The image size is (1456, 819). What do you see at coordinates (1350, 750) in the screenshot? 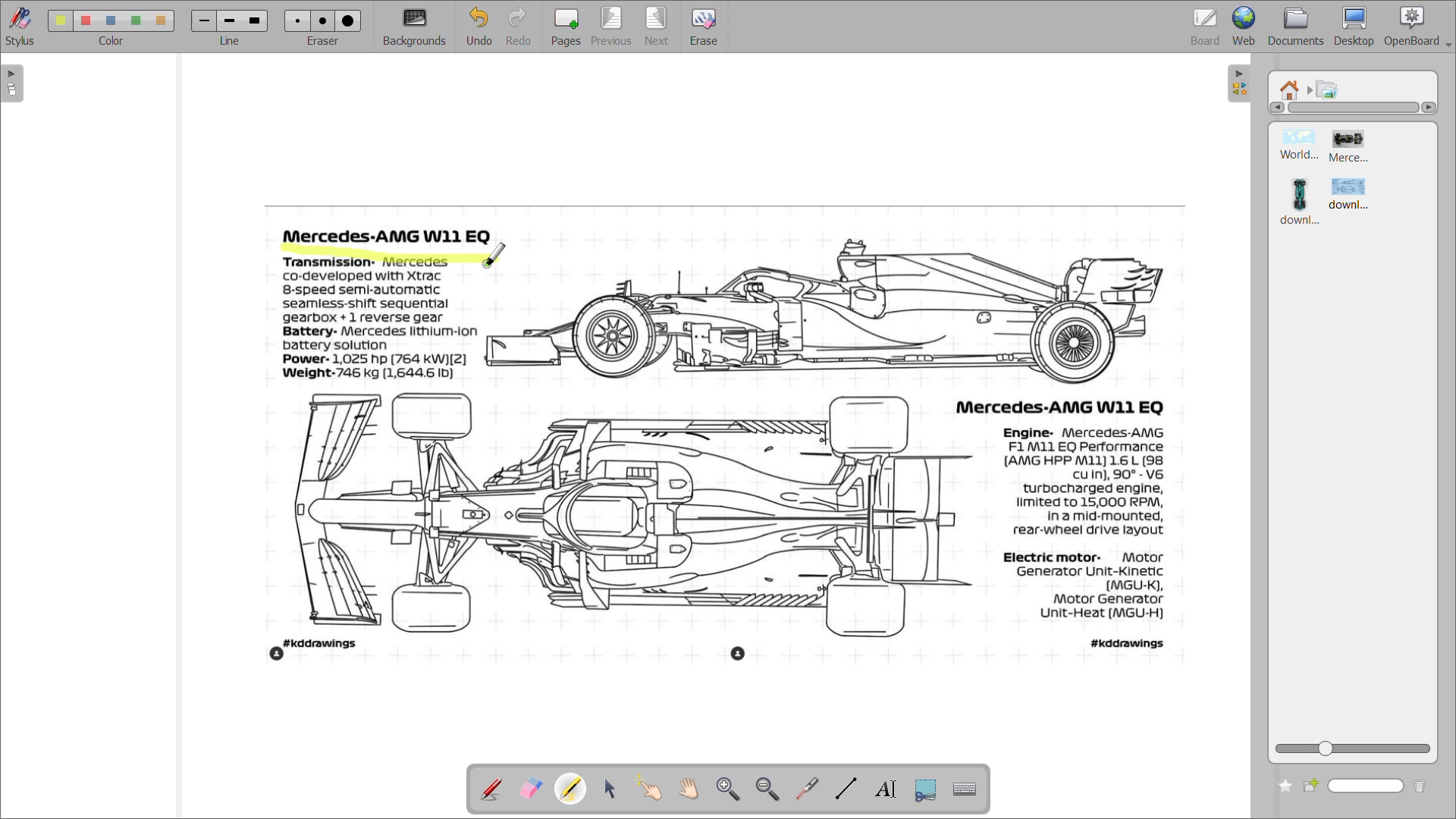
I see `zoom slider` at bounding box center [1350, 750].